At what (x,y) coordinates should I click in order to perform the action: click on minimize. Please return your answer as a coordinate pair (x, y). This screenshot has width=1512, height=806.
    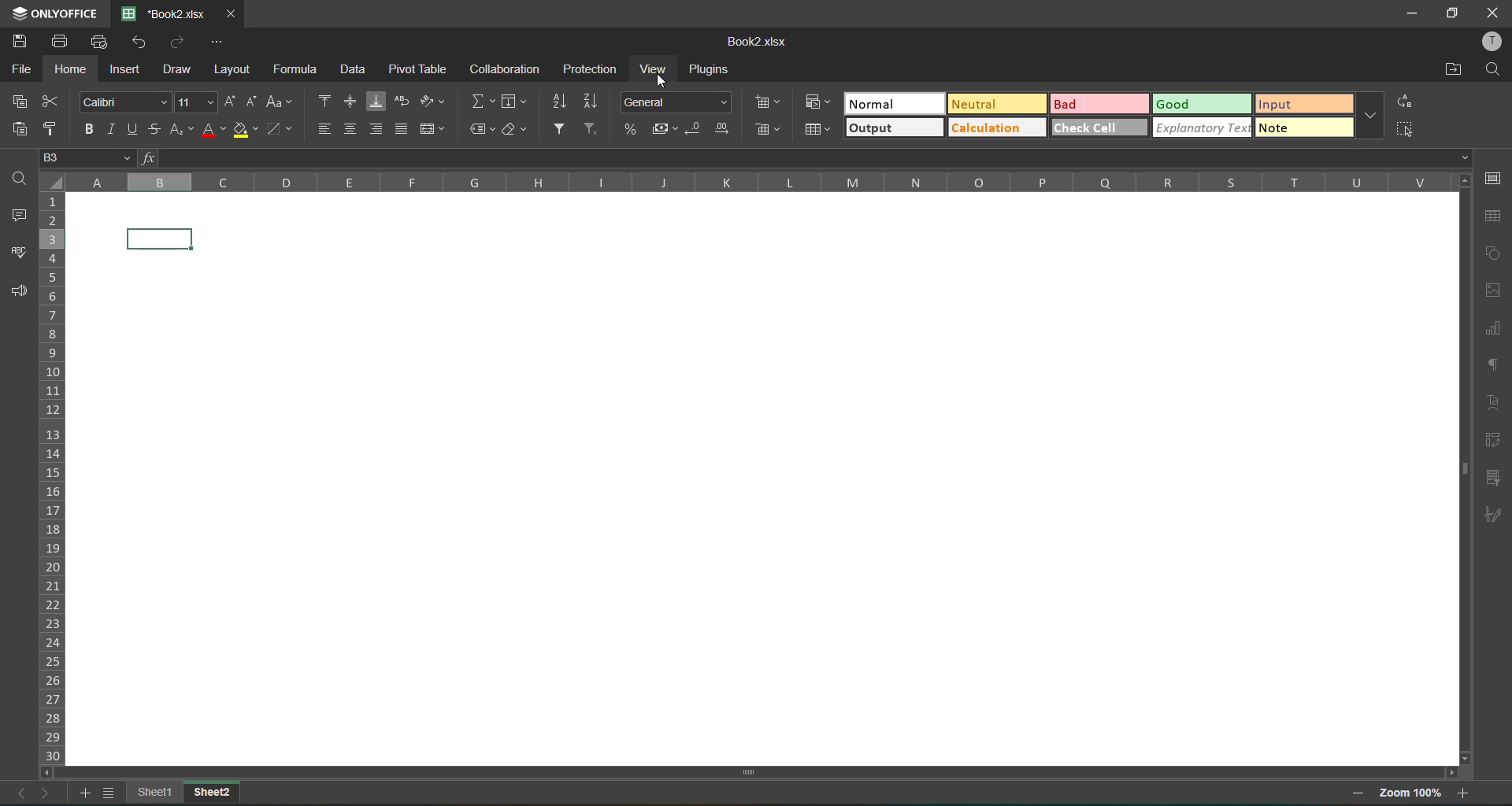
    Looking at the image, I should click on (1414, 14).